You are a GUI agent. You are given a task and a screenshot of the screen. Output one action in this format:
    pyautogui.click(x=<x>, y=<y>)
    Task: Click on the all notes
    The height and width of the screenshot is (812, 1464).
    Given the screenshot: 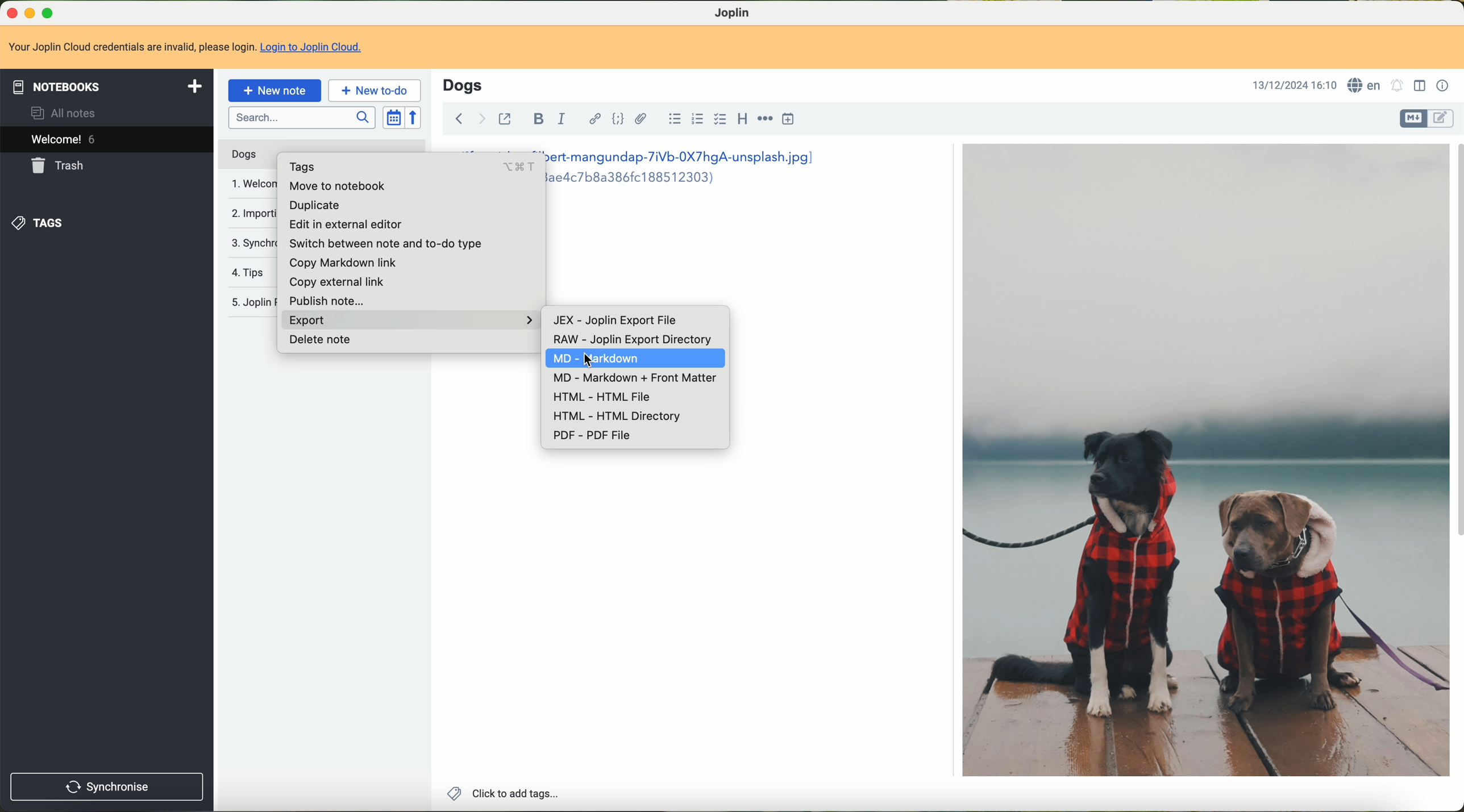 What is the action you would take?
    pyautogui.click(x=65, y=113)
    